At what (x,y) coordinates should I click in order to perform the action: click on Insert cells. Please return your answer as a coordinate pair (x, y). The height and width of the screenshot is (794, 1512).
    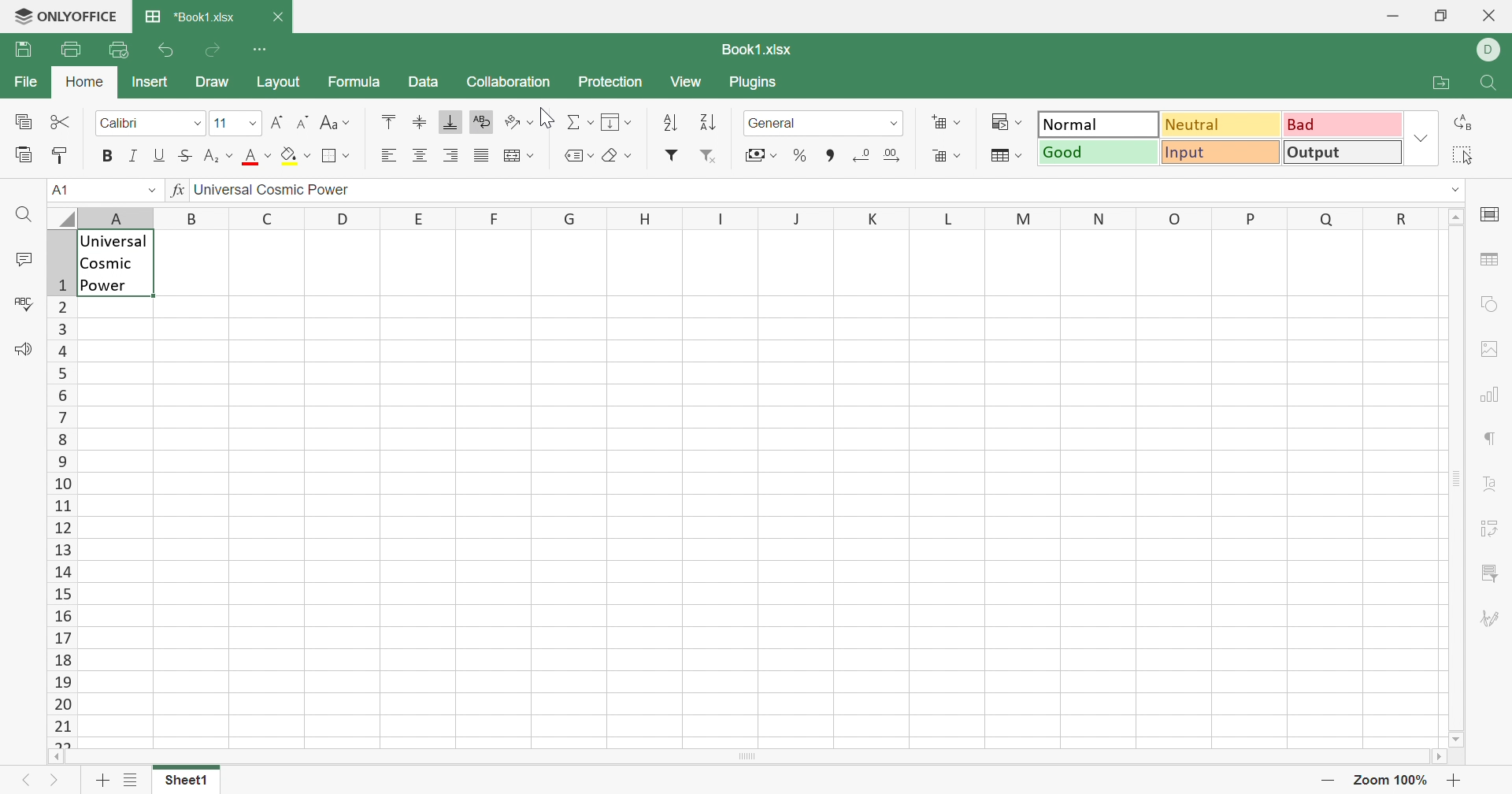
    Looking at the image, I should click on (947, 121).